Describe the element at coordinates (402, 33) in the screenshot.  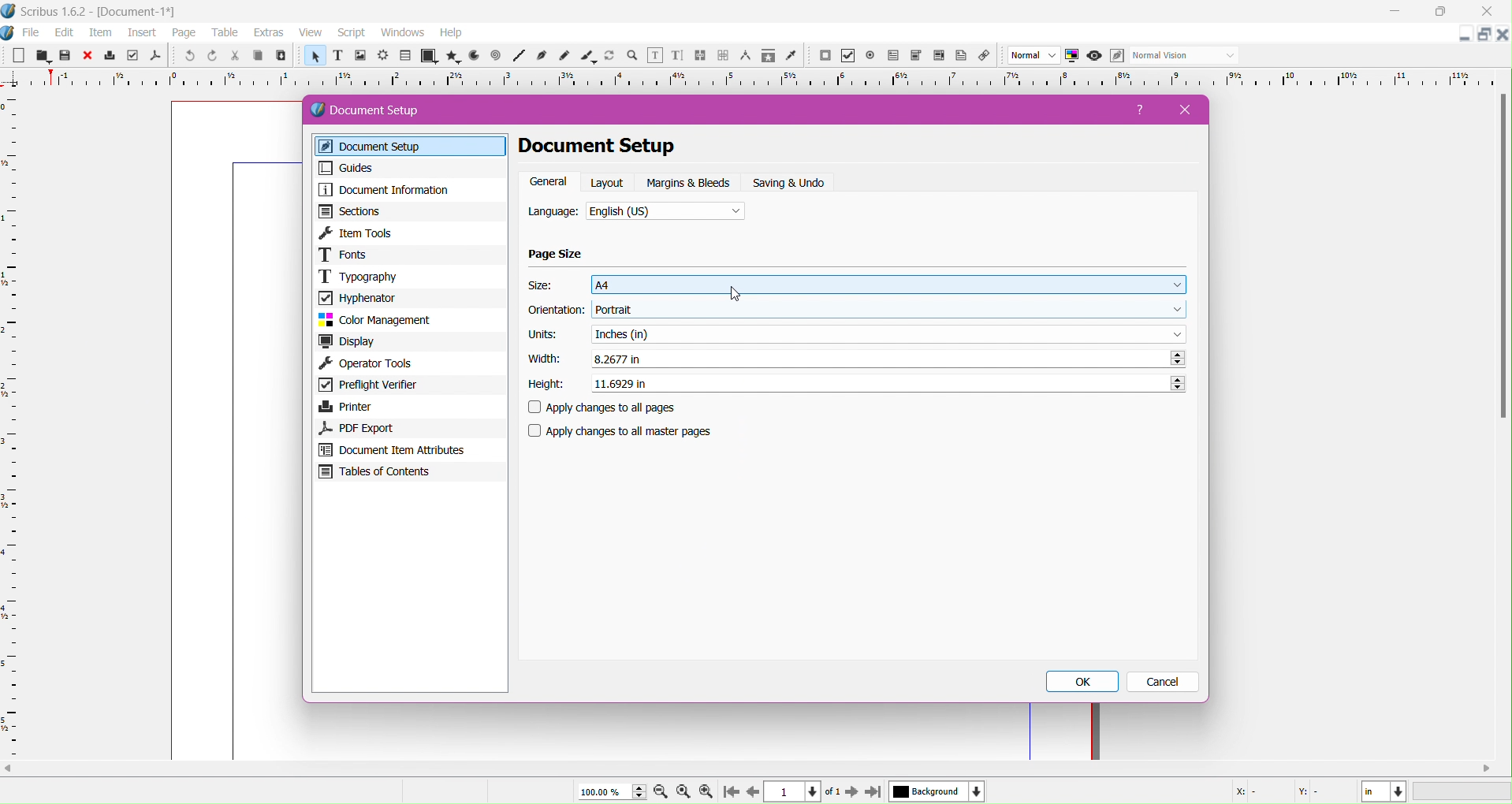
I see `windows menu` at that location.